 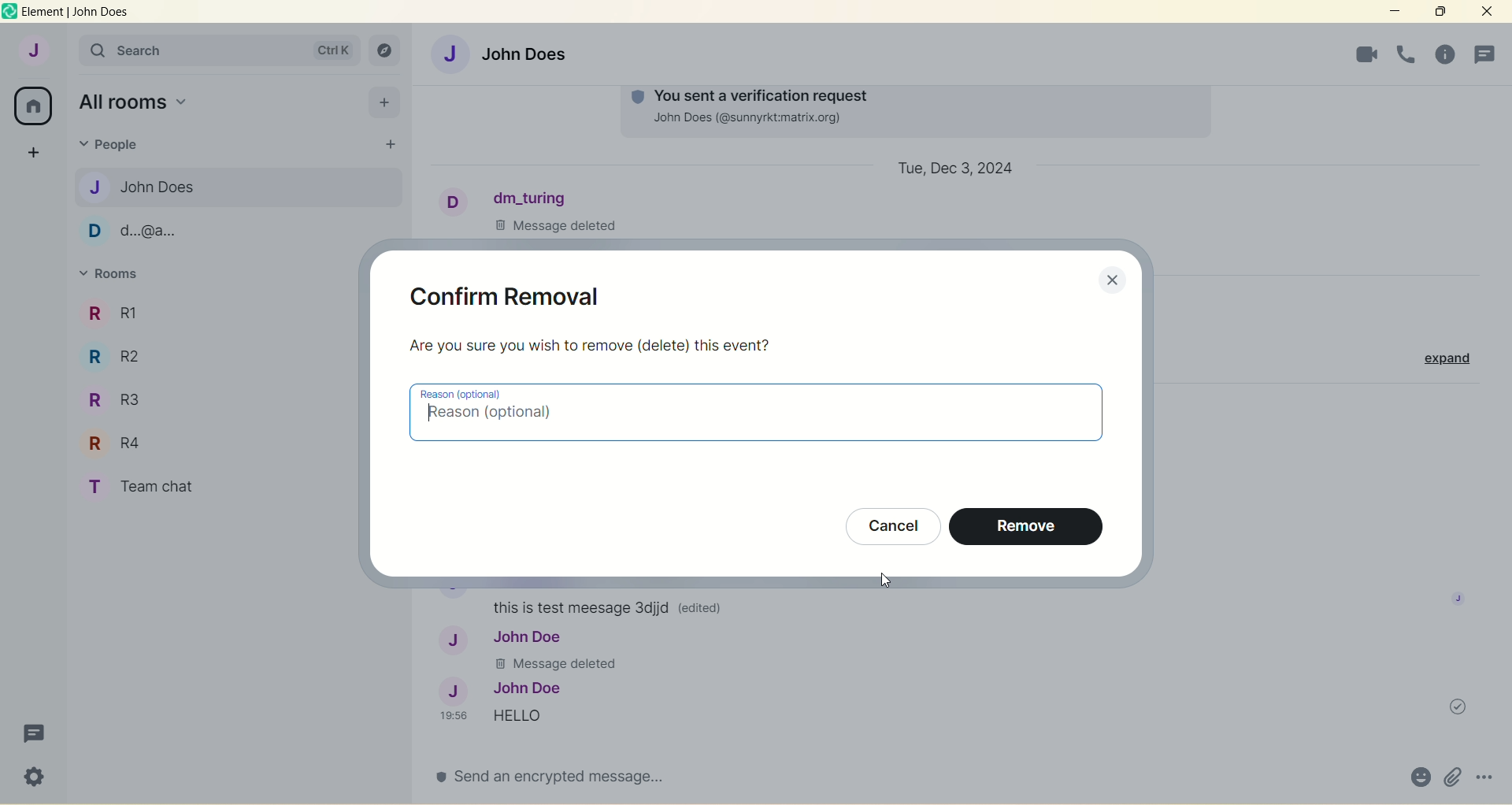 I want to click on Tue, Dec 3, 2024, so click(x=957, y=169).